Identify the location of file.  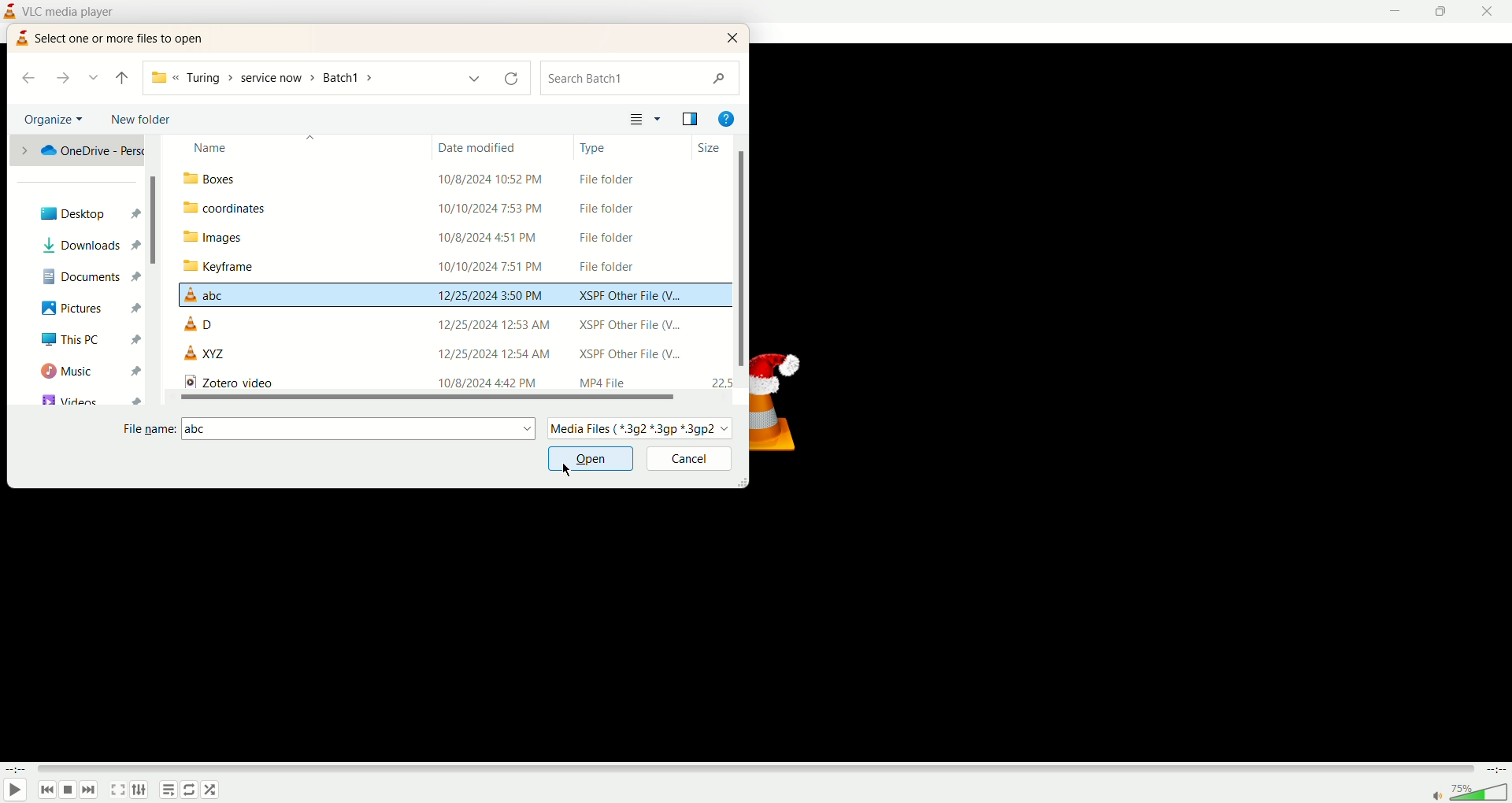
(451, 354).